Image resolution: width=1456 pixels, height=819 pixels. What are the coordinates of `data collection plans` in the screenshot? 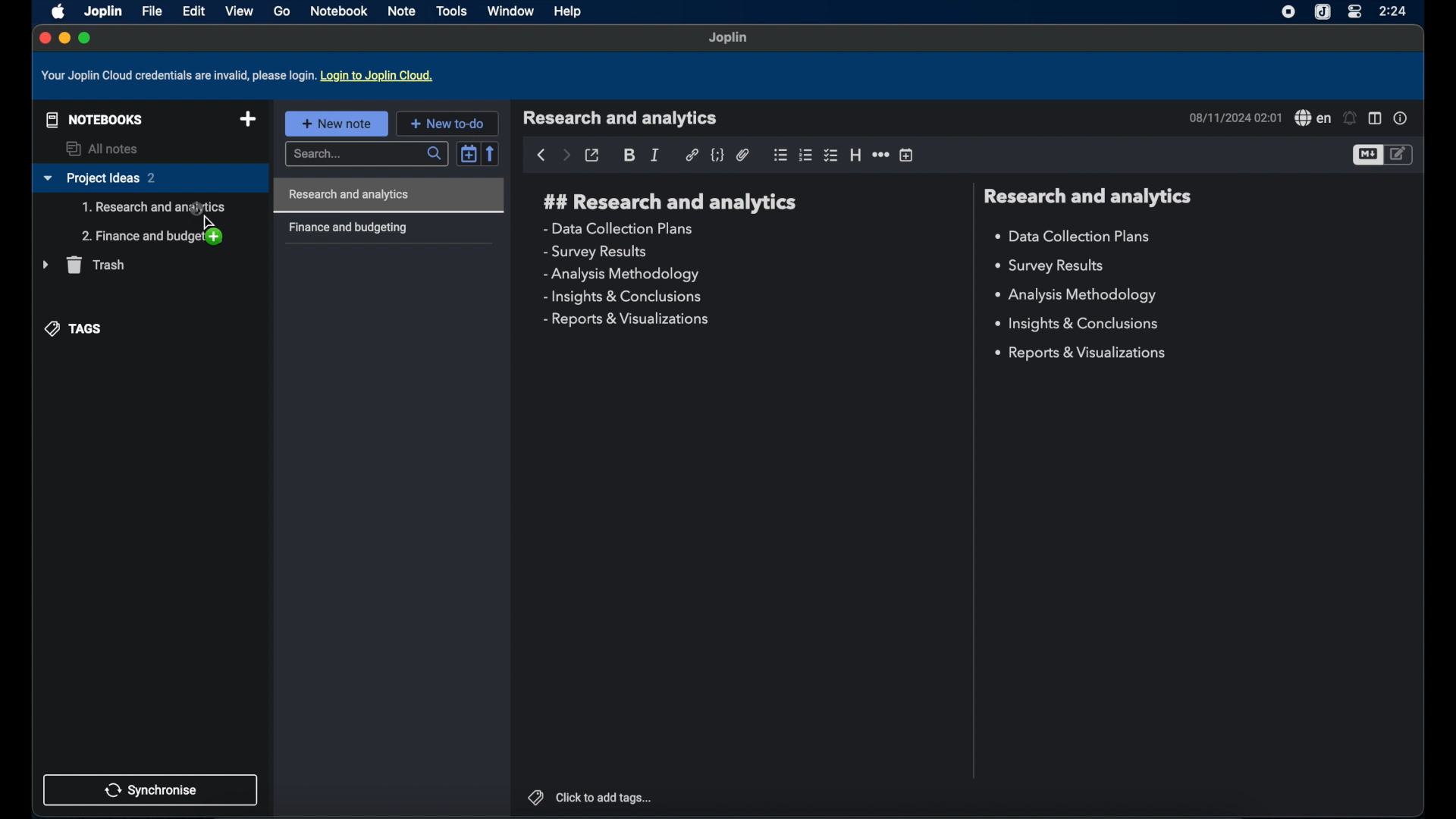 It's located at (1075, 237).